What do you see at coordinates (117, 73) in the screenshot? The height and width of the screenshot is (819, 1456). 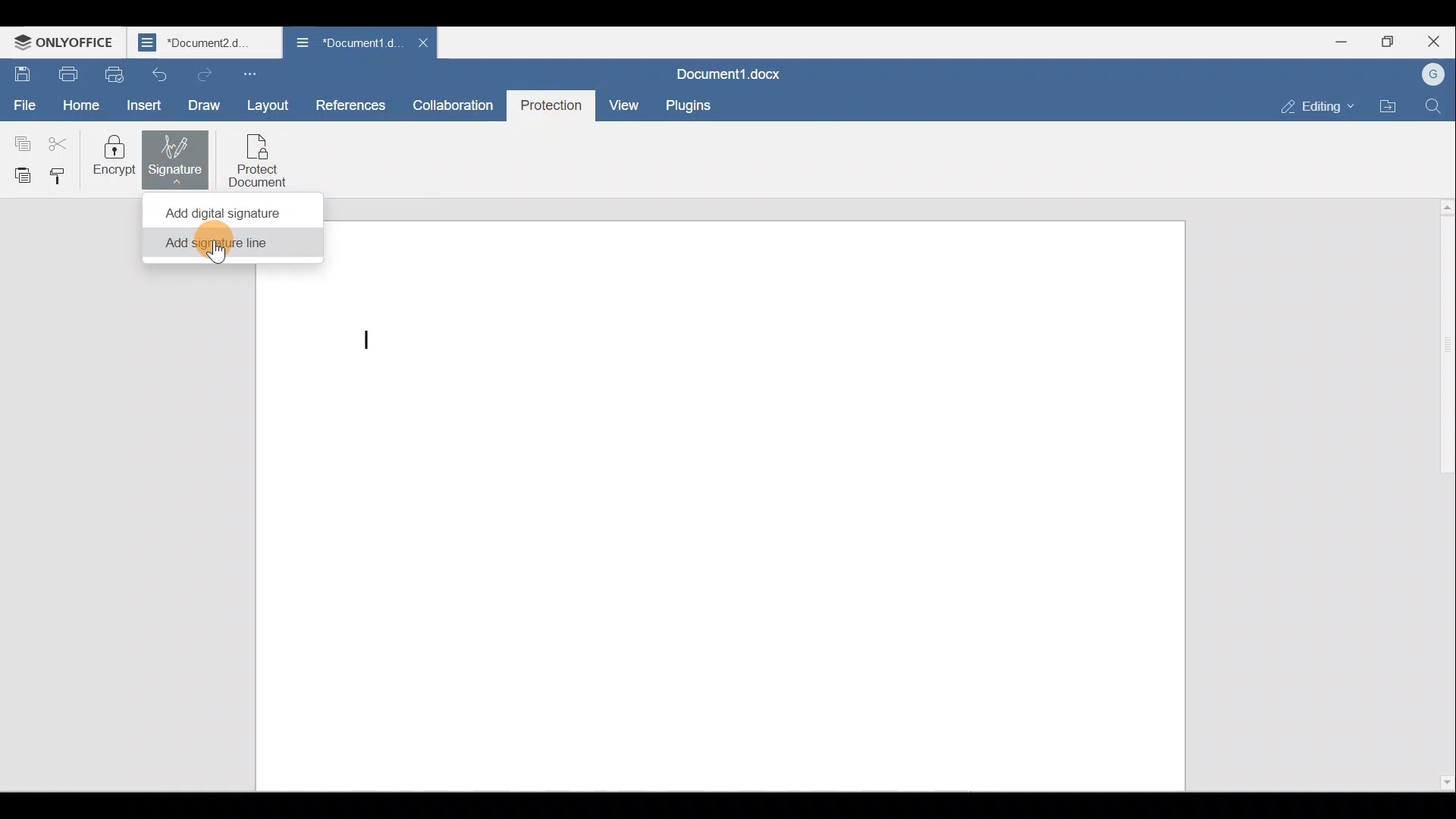 I see `Quick print` at bounding box center [117, 73].